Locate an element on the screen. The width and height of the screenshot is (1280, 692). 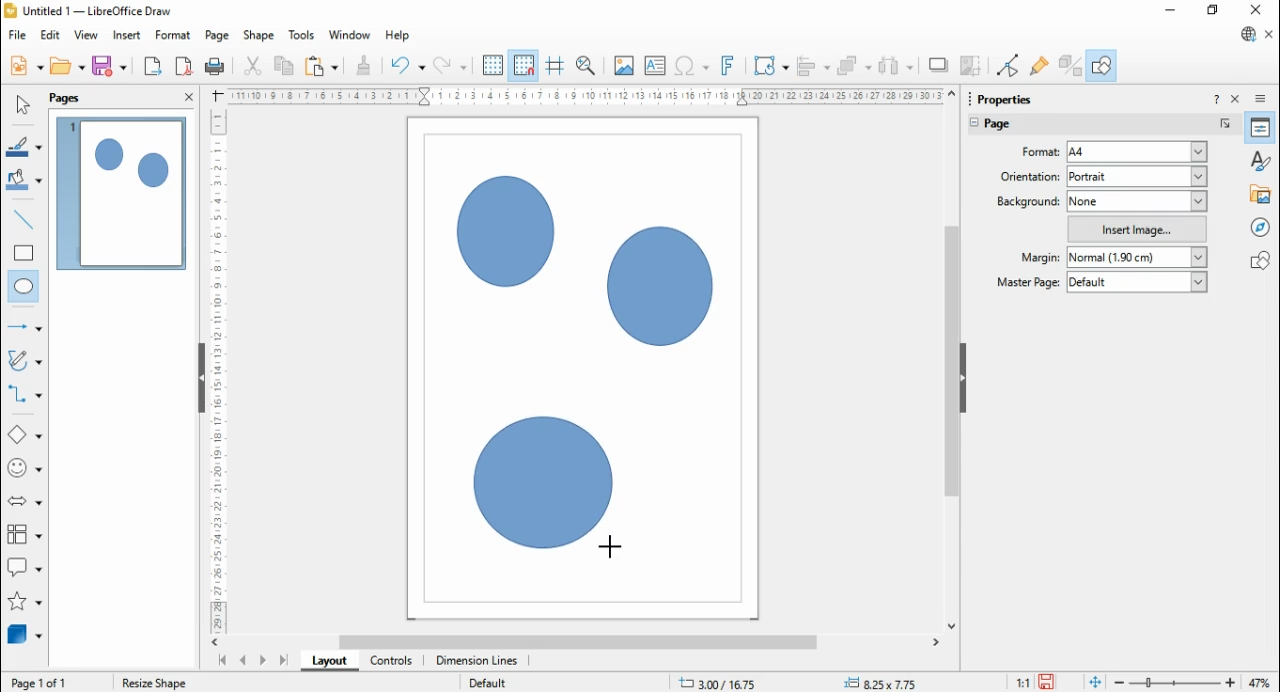
format is located at coordinates (174, 36).